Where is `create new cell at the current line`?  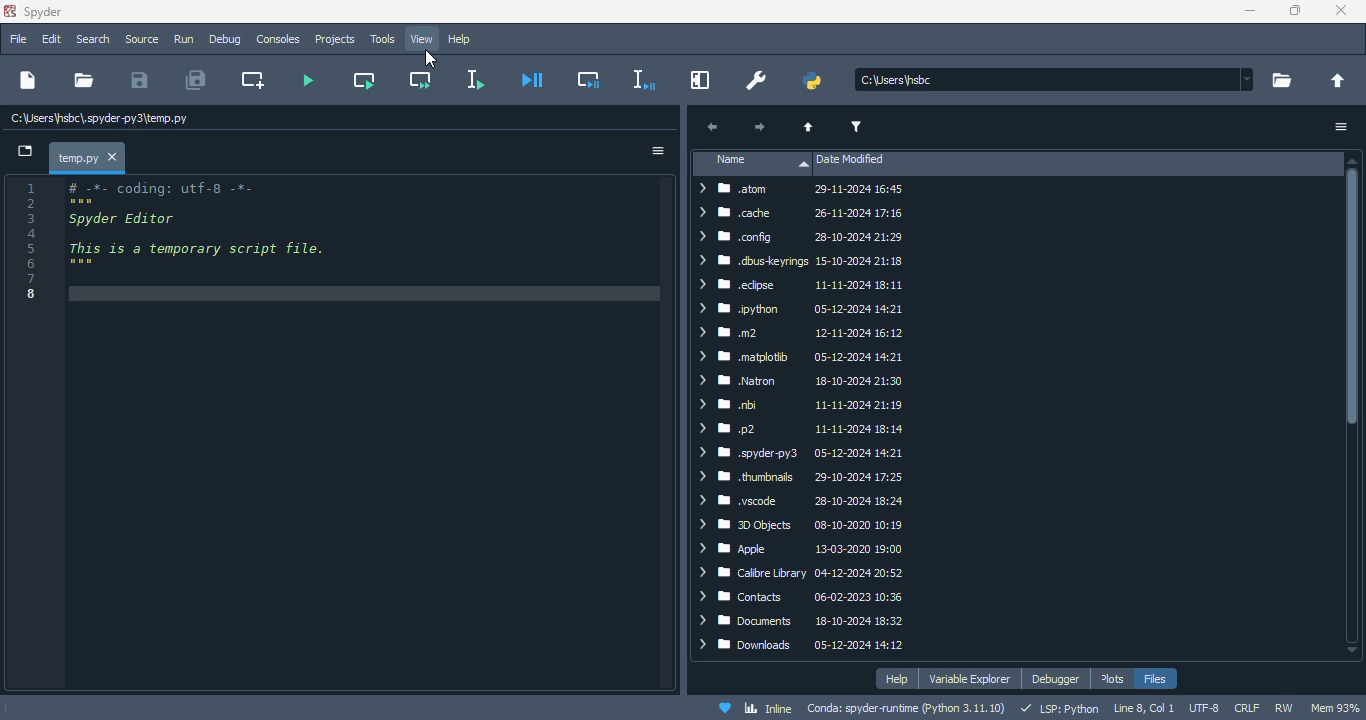
create new cell at the current line is located at coordinates (254, 80).